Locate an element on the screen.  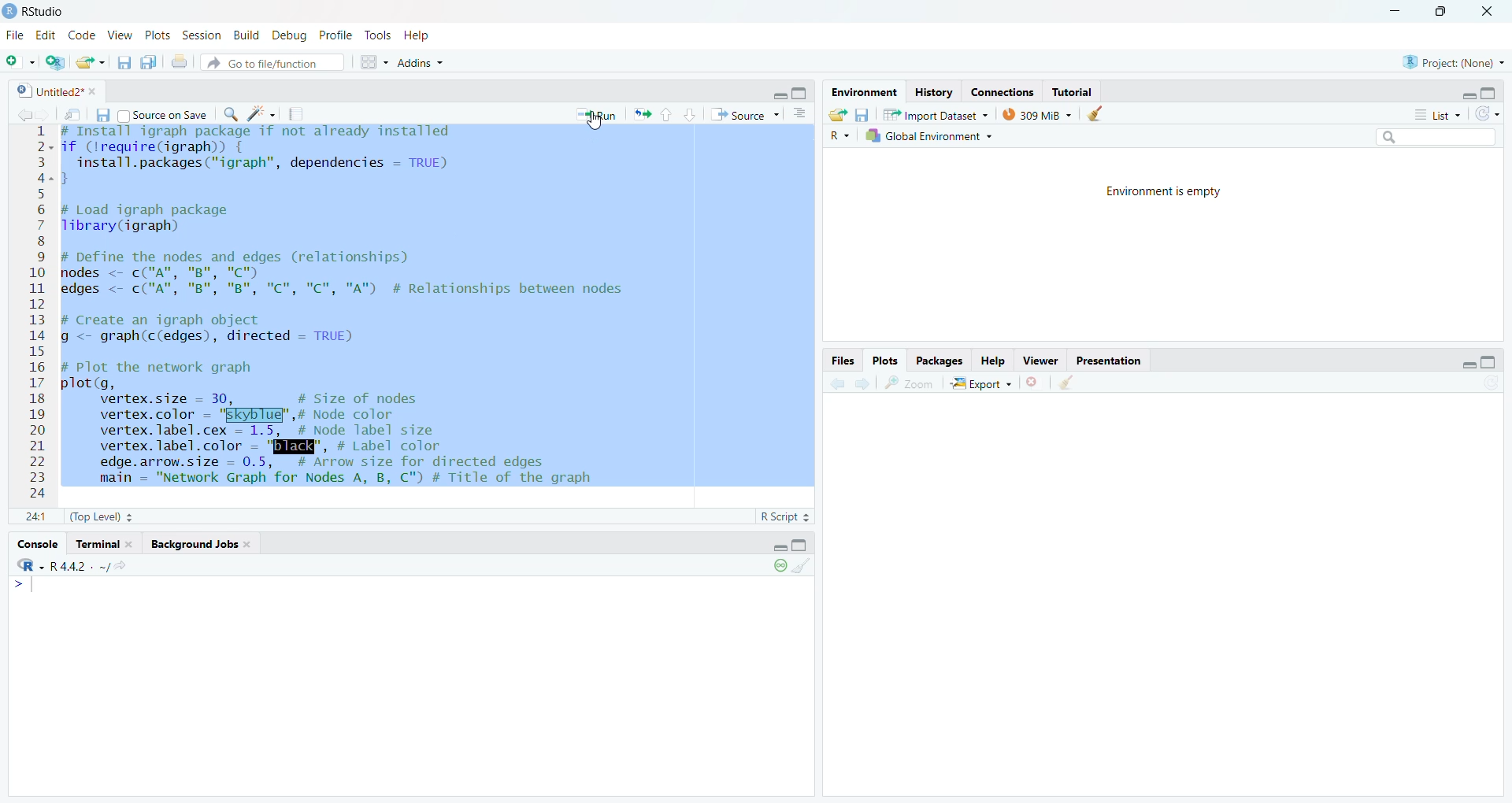
clear is located at coordinates (805, 568).